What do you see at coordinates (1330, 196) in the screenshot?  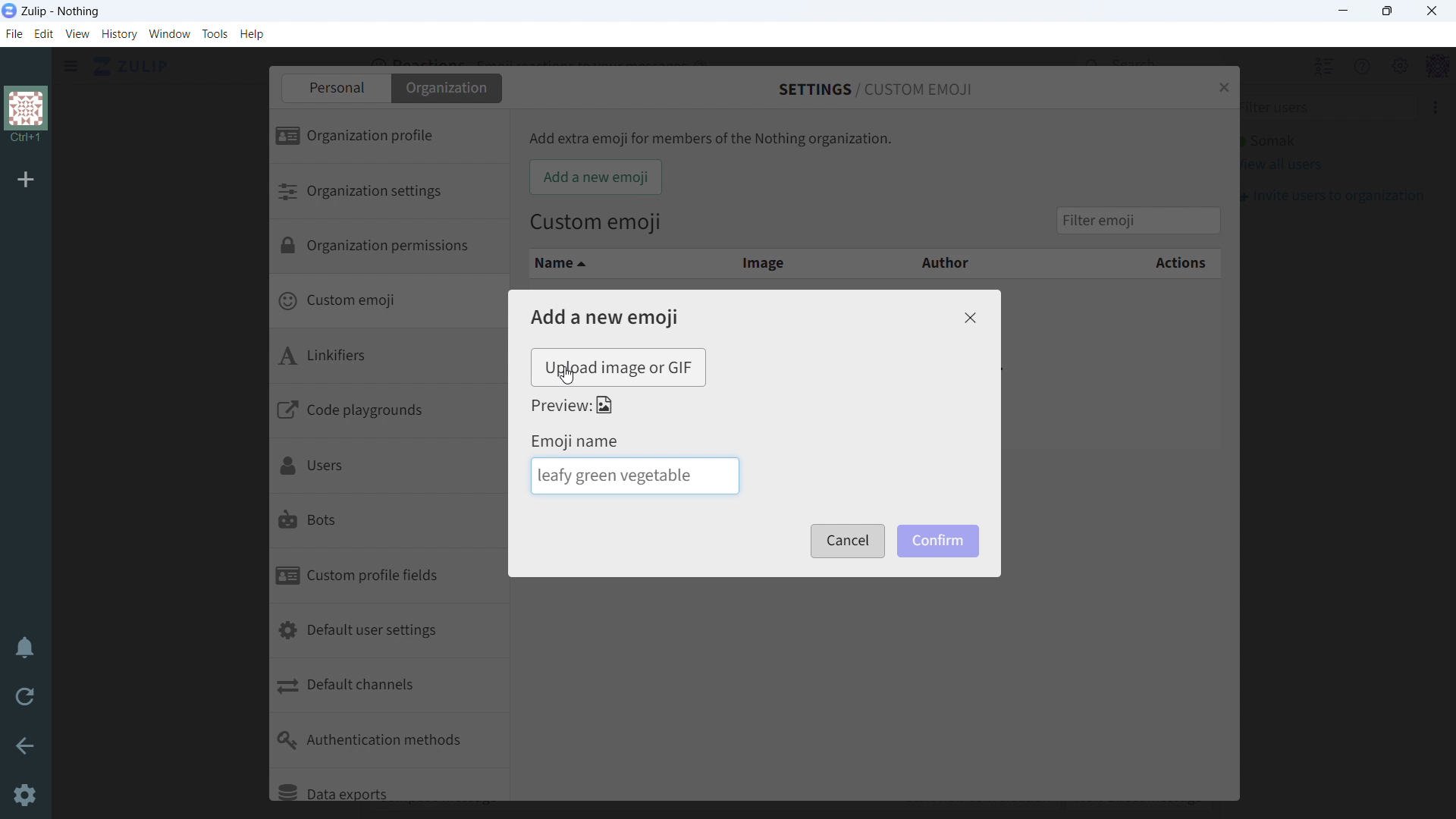 I see `invite users` at bounding box center [1330, 196].